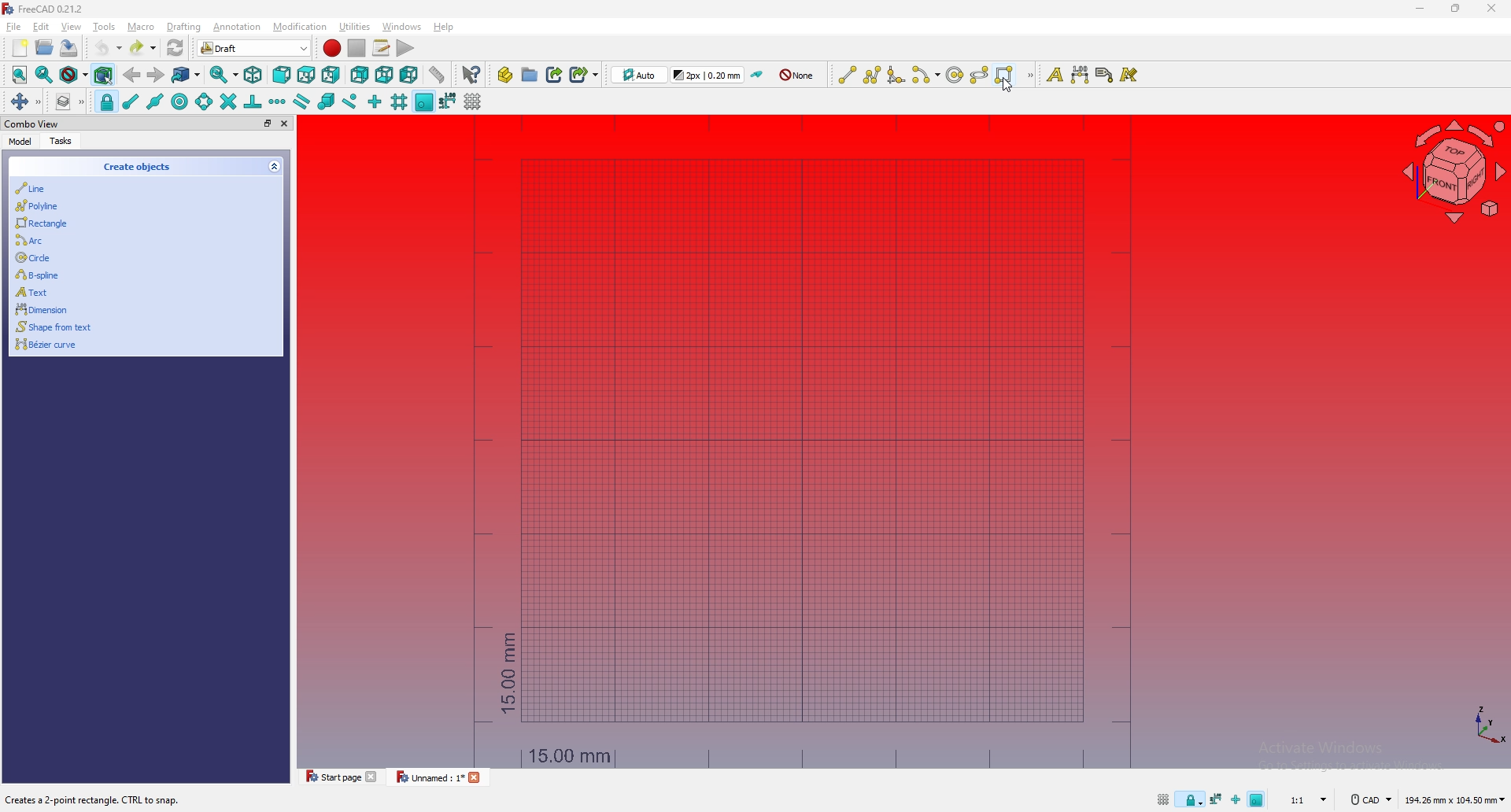 This screenshot has width=1511, height=812. What do you see at coordinates (141, 27) in the screenshot?
I see `macro` at bounding box center [141, 27].